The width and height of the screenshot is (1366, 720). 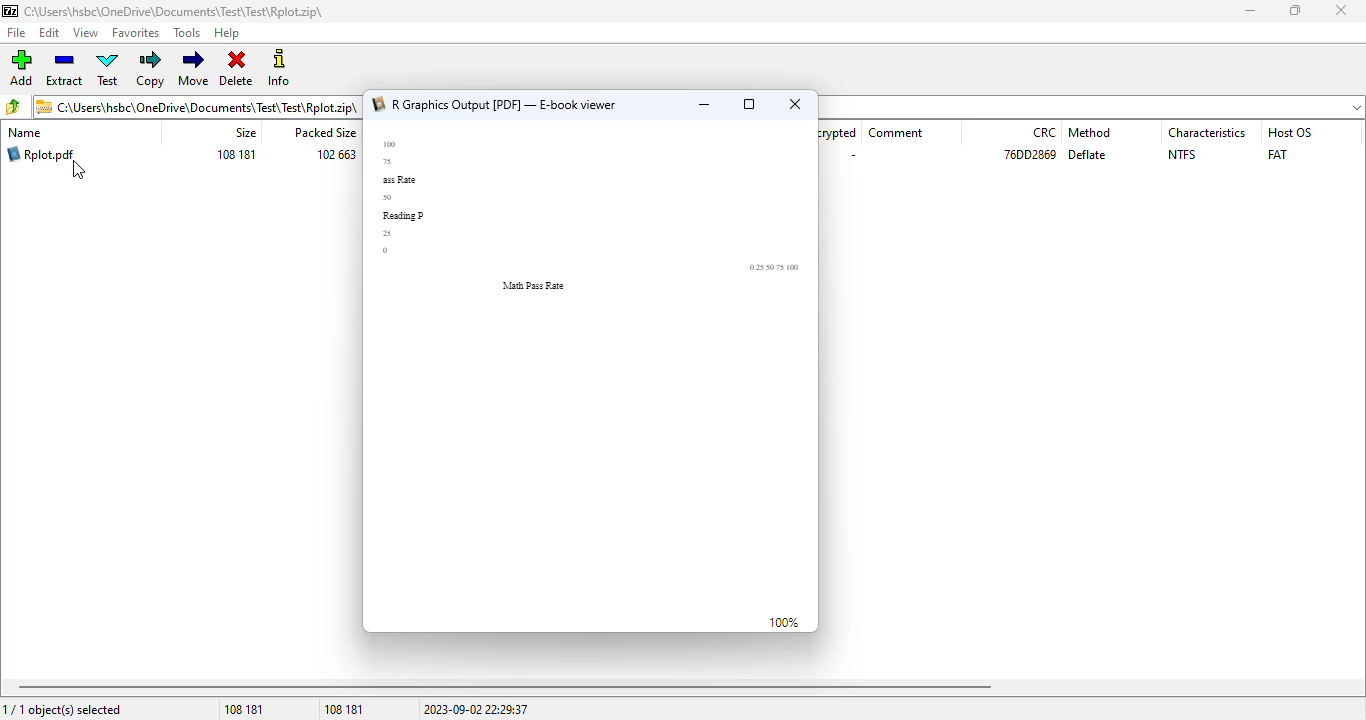 What do you see at coordinates (750, 104) in the screenshot?
I see `maximize` at bounding box center [750, 104].